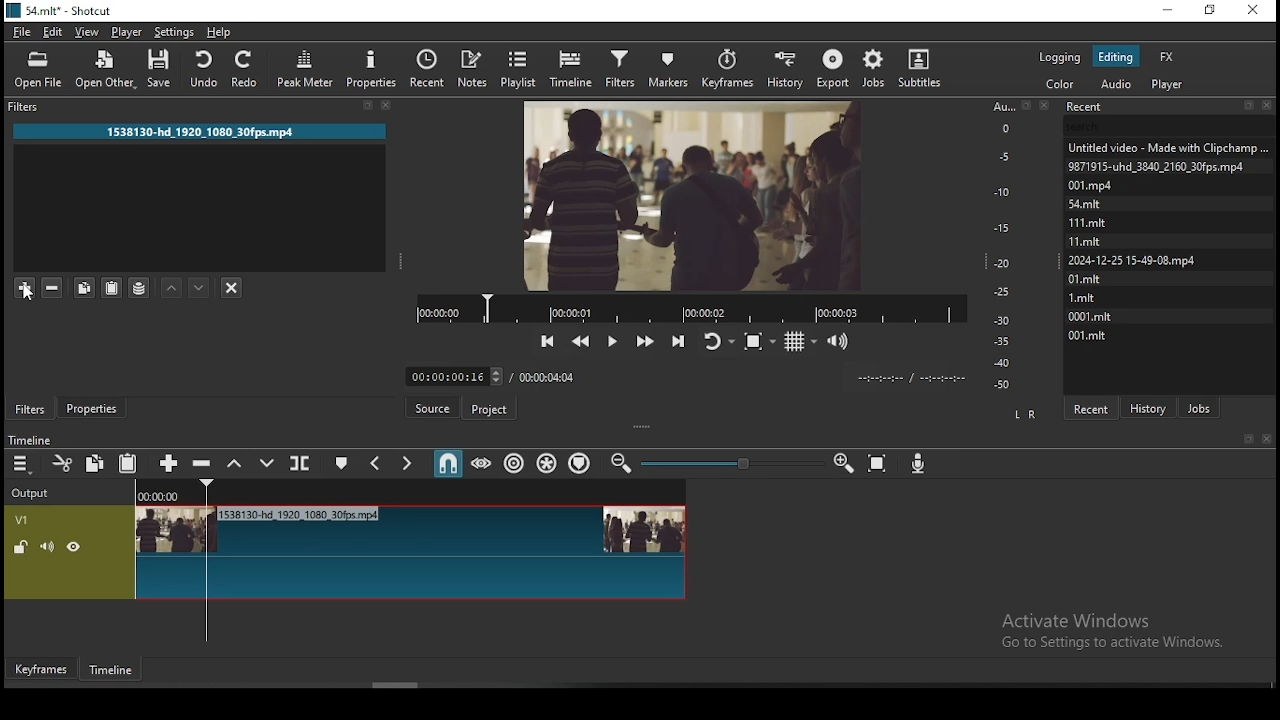 This screenshot has width=1280, height=720. I want to click on toggle zoom, so click(761, 339).